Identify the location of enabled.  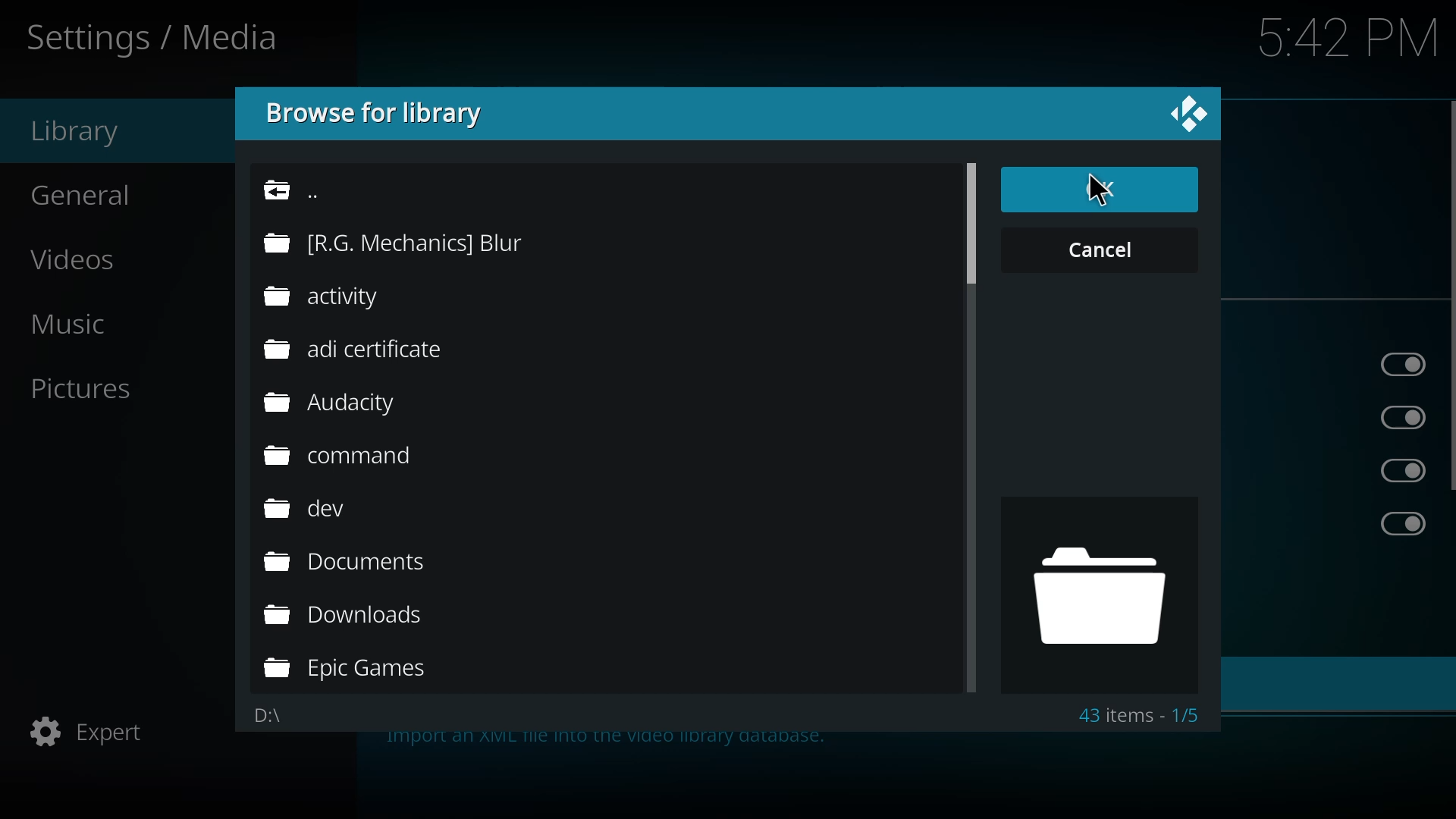
(1407, 419).